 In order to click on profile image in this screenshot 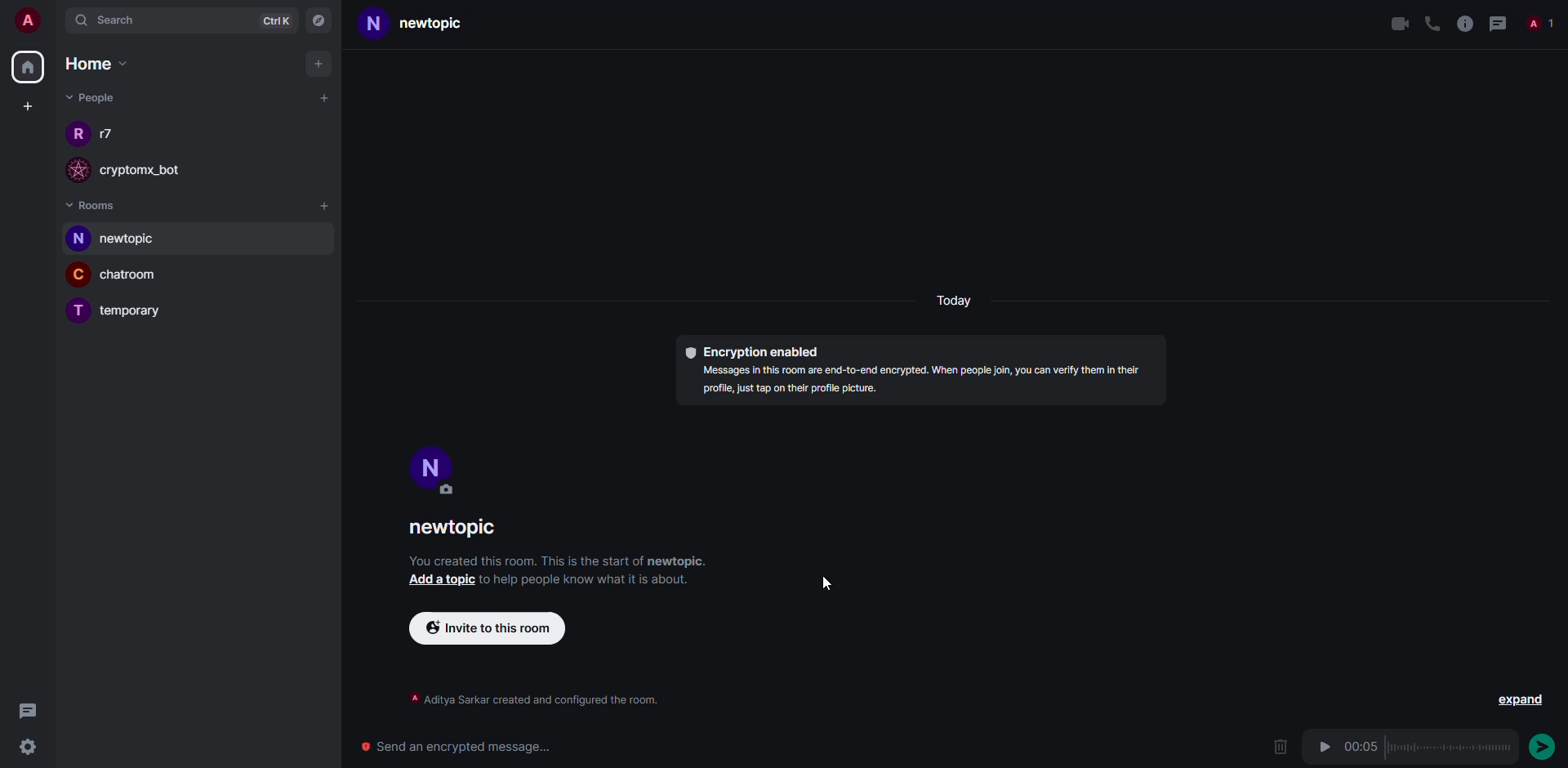, I will do `click(79, 170)`.